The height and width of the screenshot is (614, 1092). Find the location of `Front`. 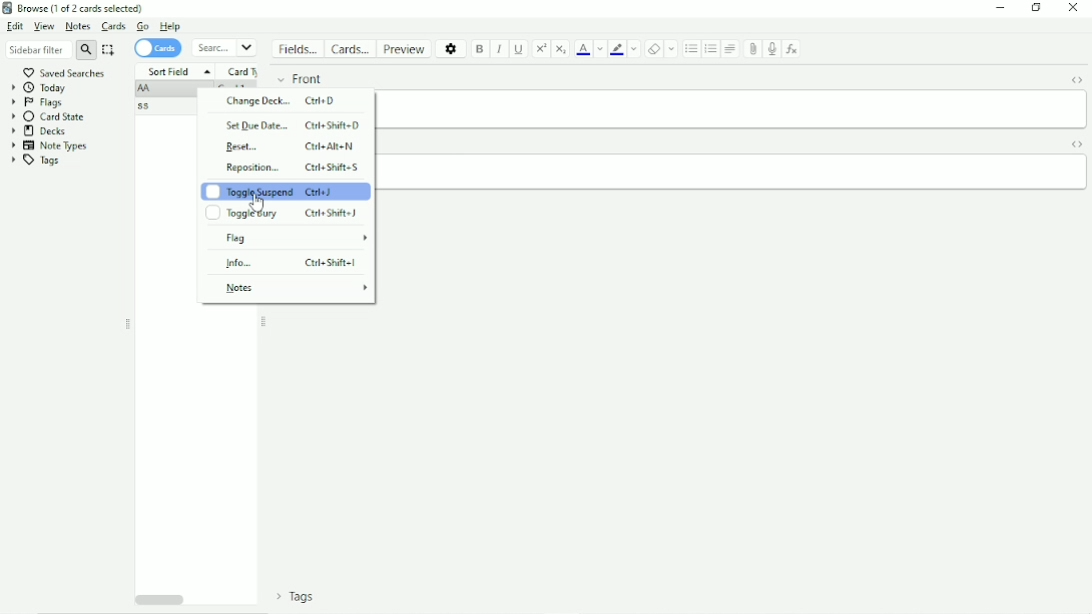

Front is located at coordinates (300, 78).